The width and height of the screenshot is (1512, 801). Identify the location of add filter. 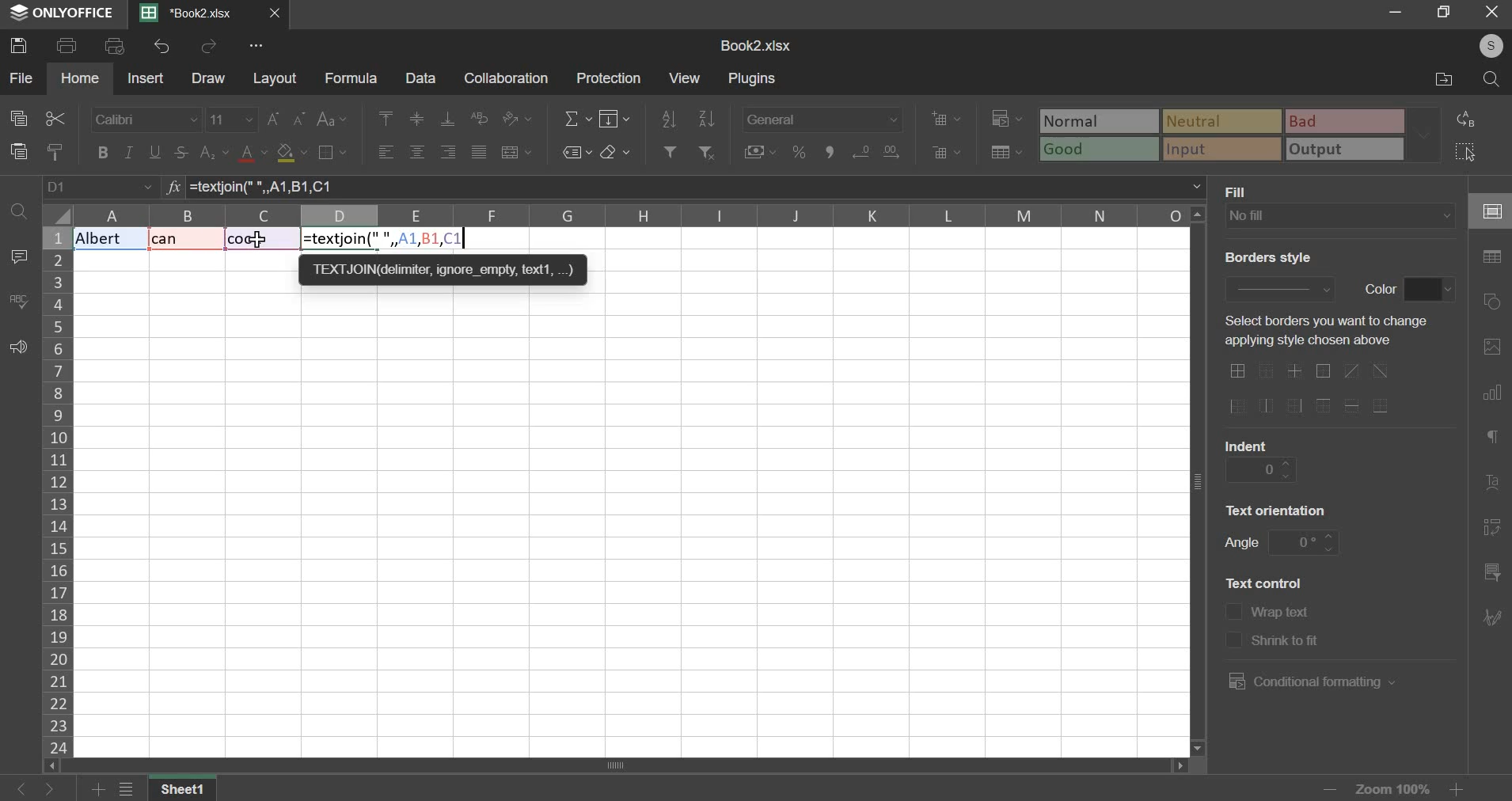
(668, 150).